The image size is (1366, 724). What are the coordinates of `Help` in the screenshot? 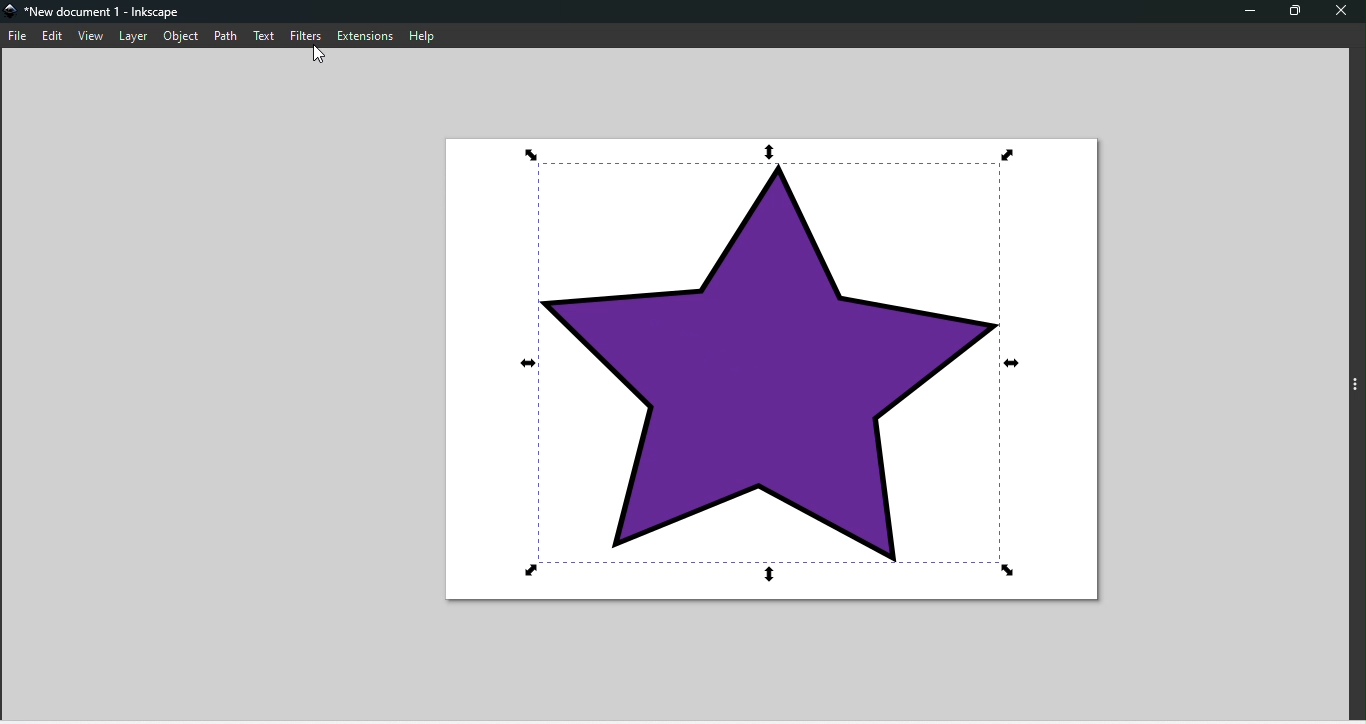 It's located at (424, 35).